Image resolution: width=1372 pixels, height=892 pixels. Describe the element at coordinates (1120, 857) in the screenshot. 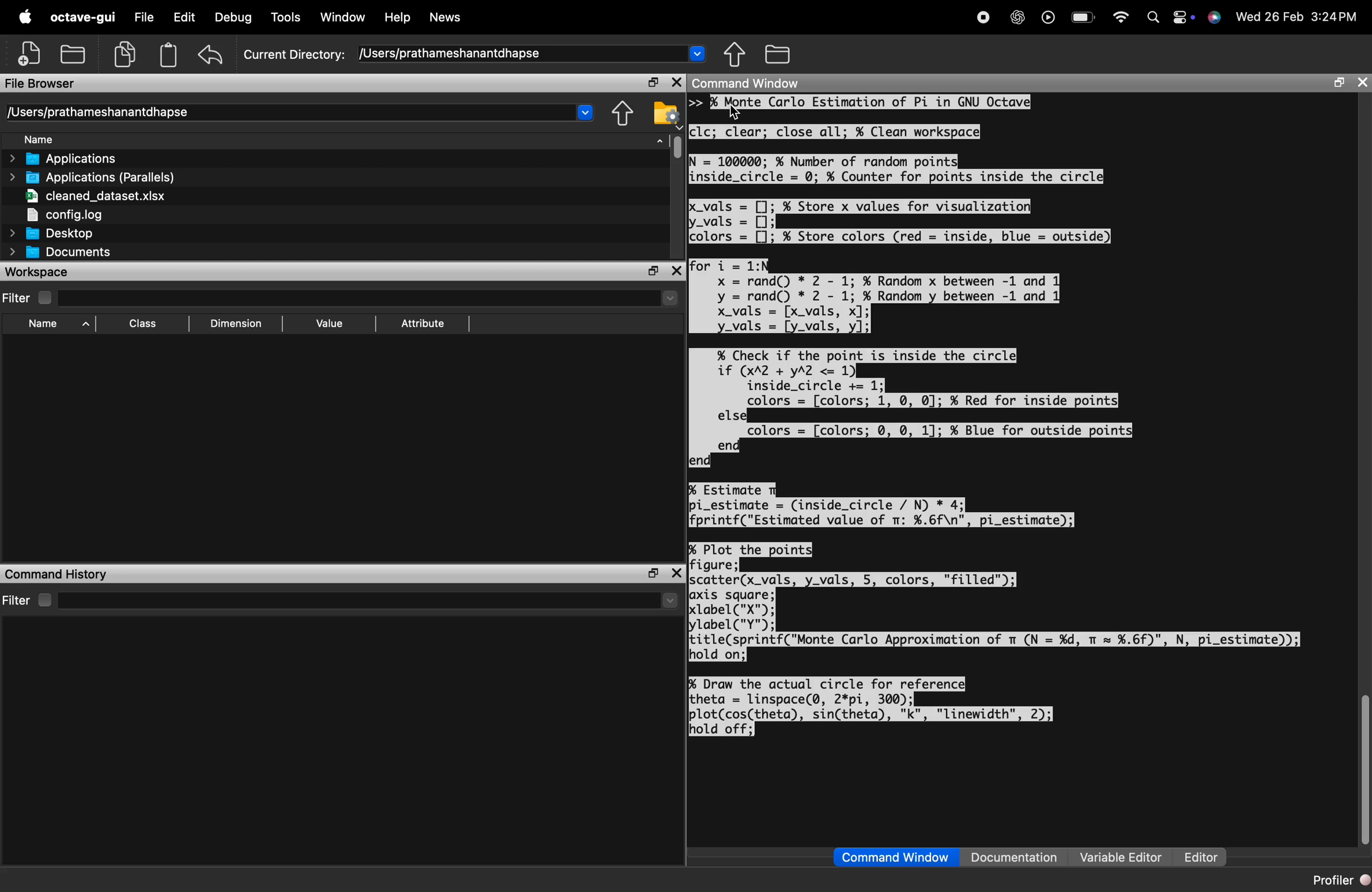

I see `Variable Editor` at that location.